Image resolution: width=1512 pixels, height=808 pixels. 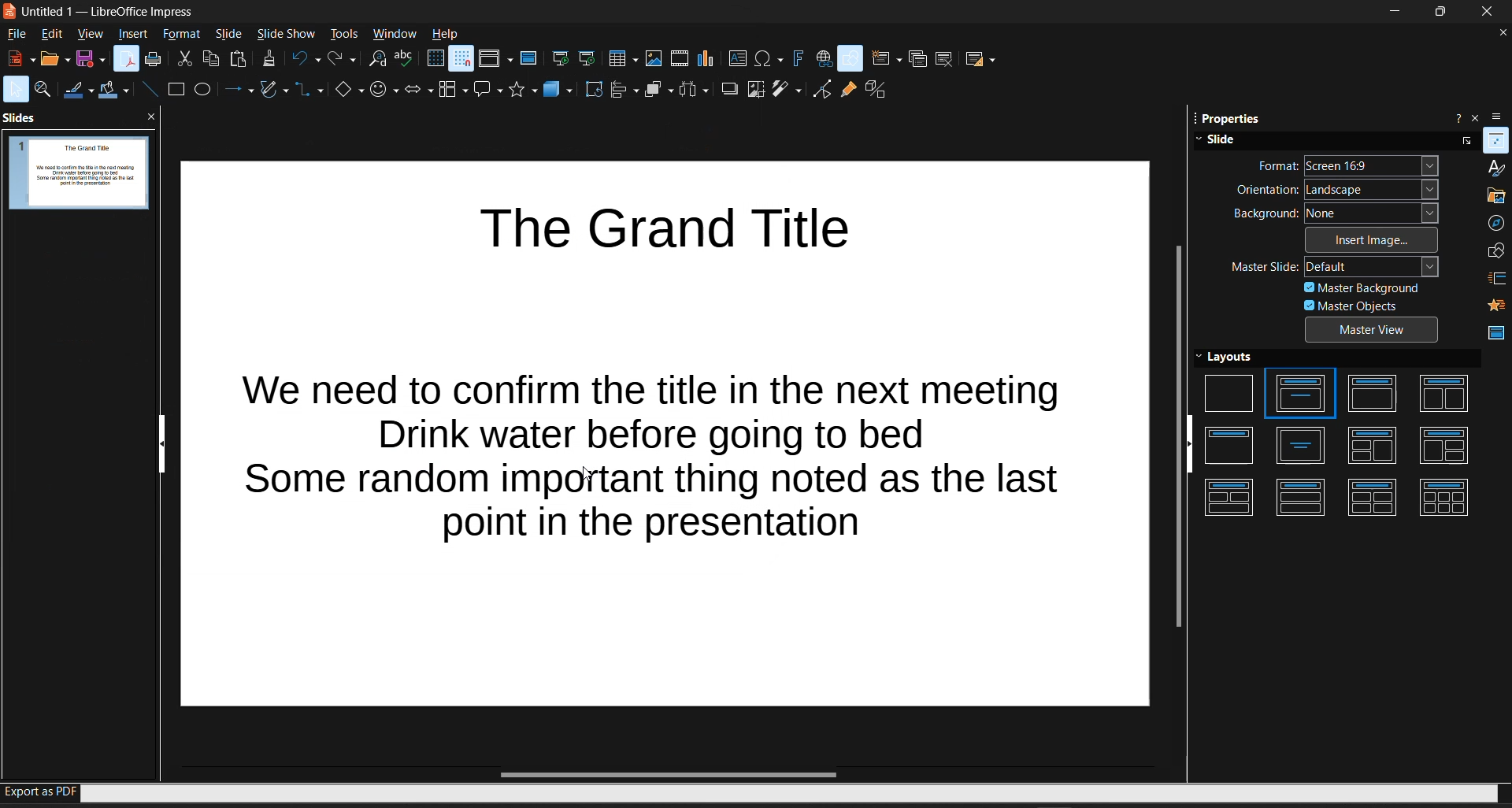 I want to click on circle, so click(x=201, y=90).